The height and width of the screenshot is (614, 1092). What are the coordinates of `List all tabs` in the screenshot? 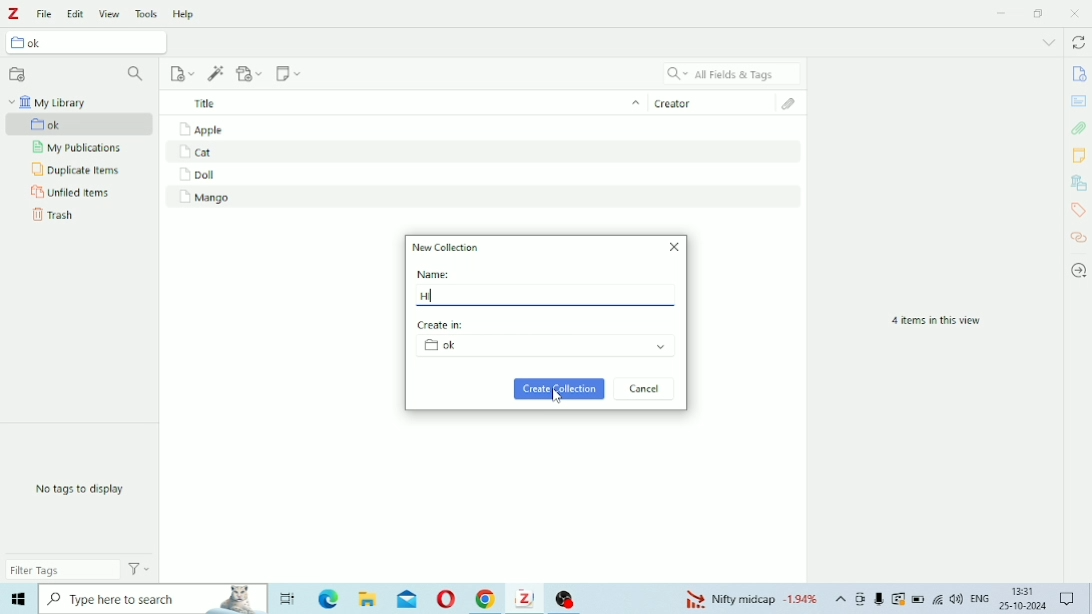 It's located at (1049, 42).